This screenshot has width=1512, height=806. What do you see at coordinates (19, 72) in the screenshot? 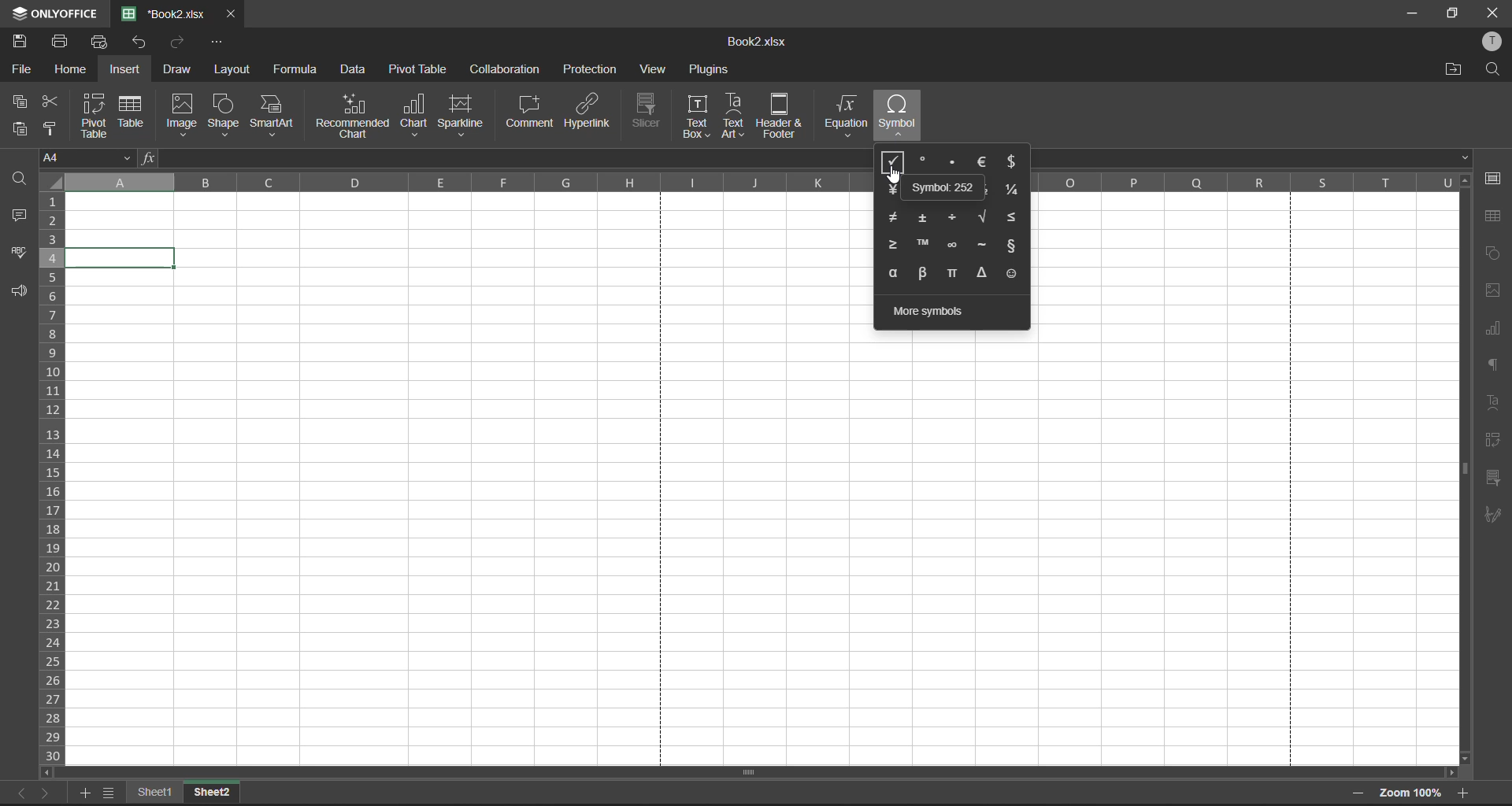
I see `file` at bounding box center [19, 72].